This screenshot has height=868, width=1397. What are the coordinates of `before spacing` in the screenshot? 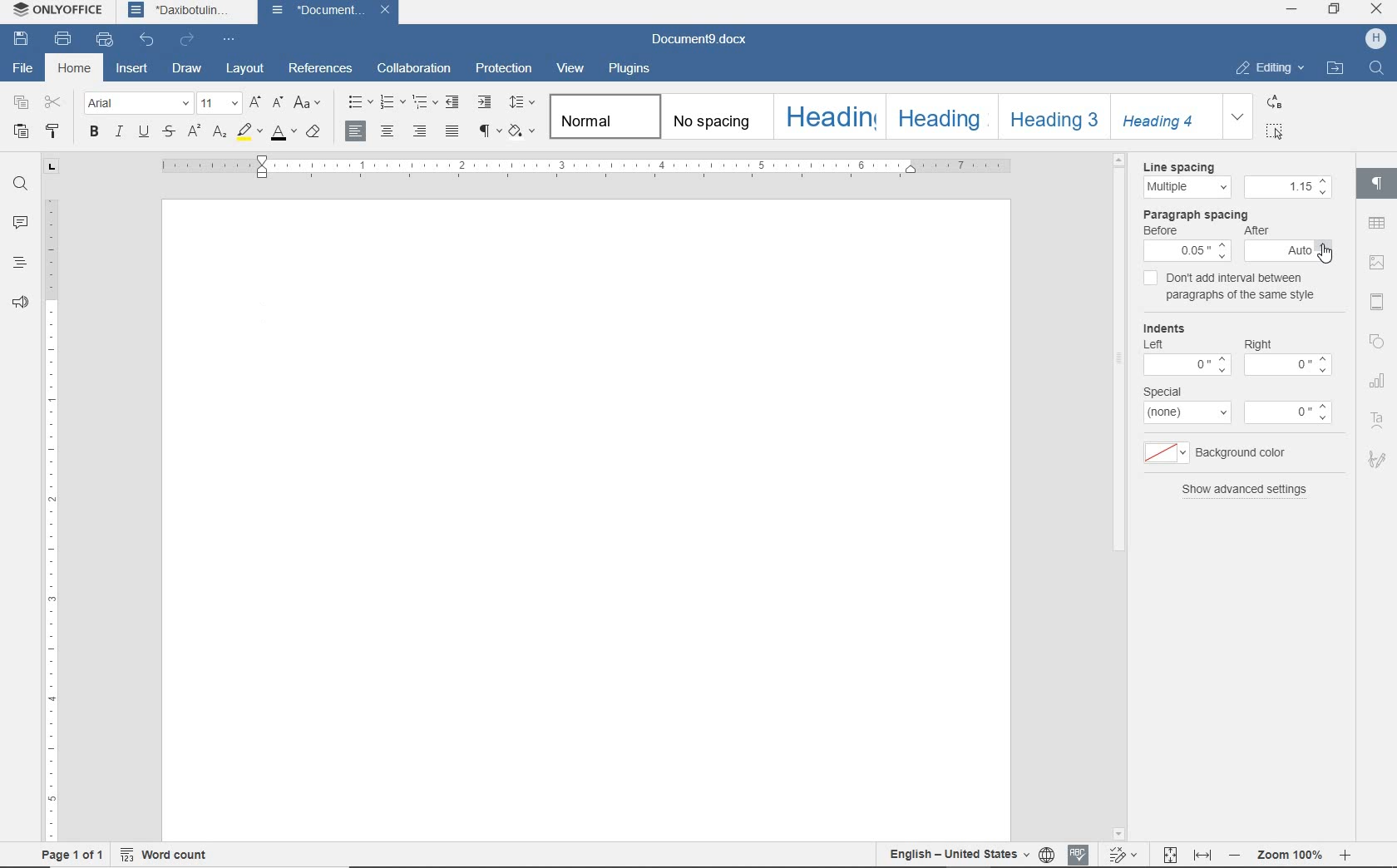 It's located at (1188, 251).